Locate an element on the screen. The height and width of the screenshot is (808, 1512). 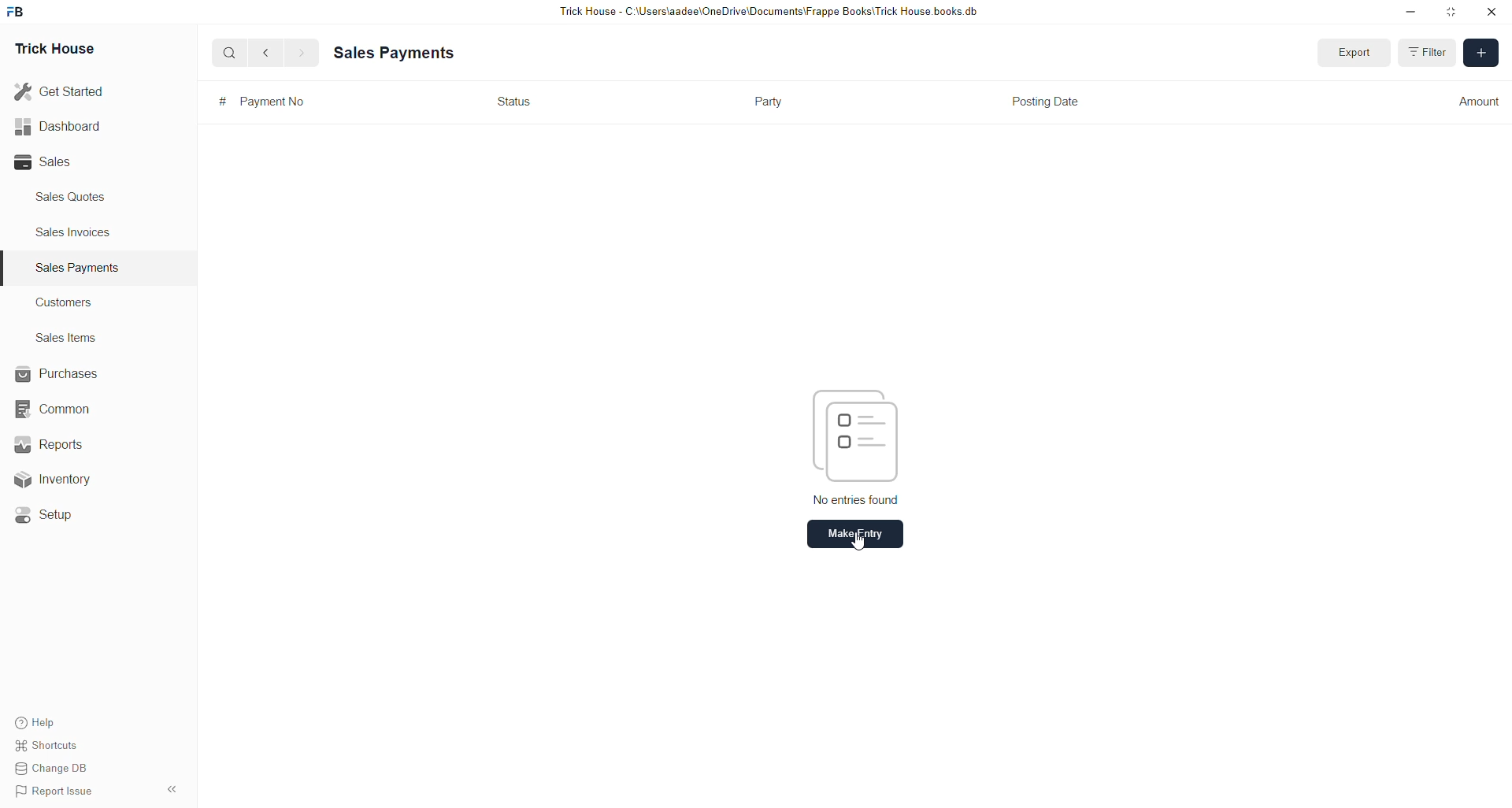
Forward is located at coordinates (302, 54).